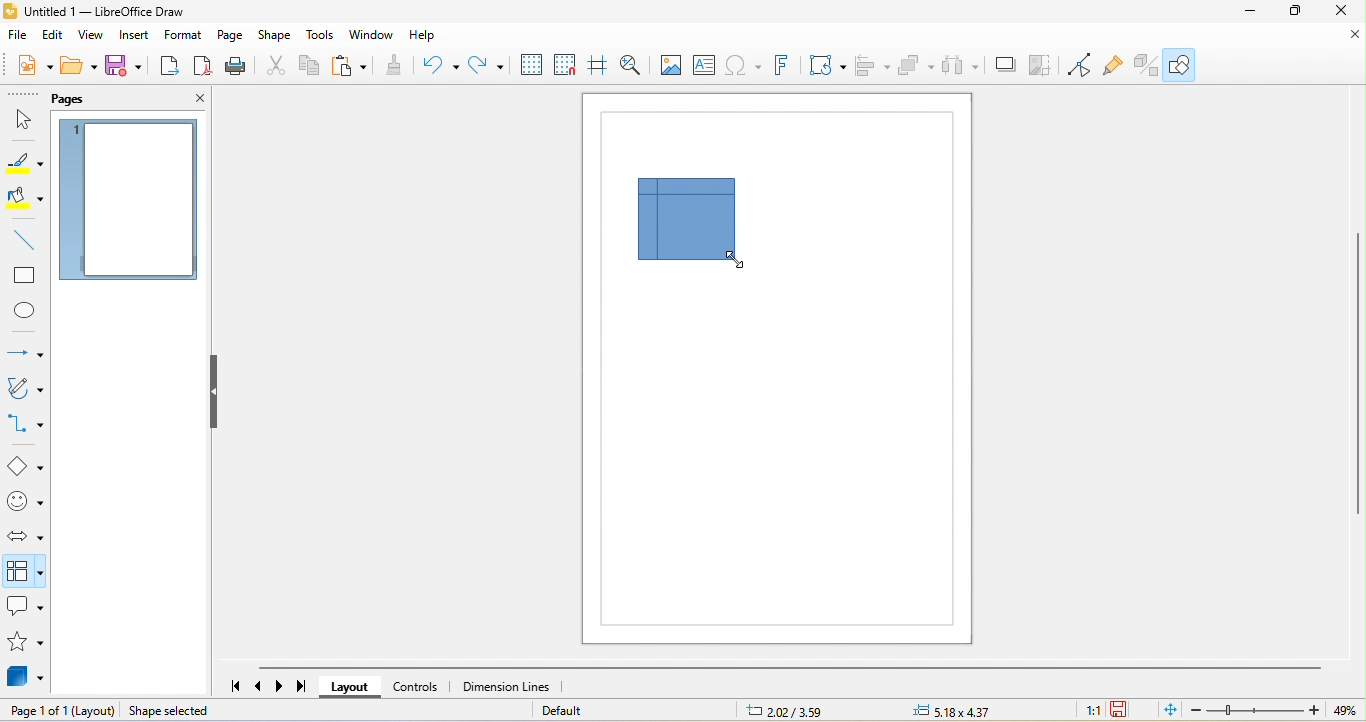  I want to click on 49%, so click(1348, 711).